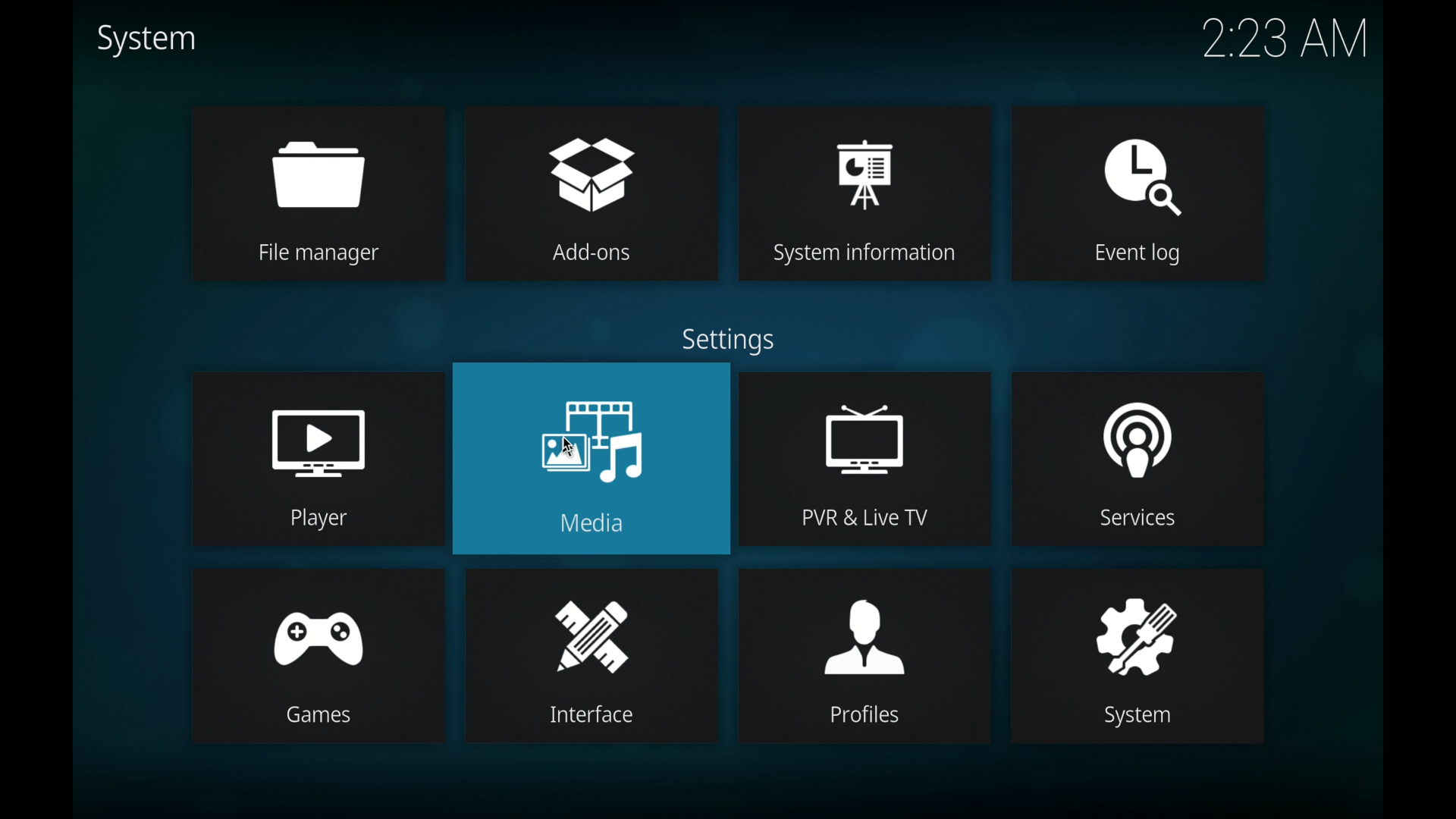 This screenshot has width=1456, height=819. What do you see at coordinates (571, 444) in the screenshot?
I see `cursor` at bounding box center [571, 444].